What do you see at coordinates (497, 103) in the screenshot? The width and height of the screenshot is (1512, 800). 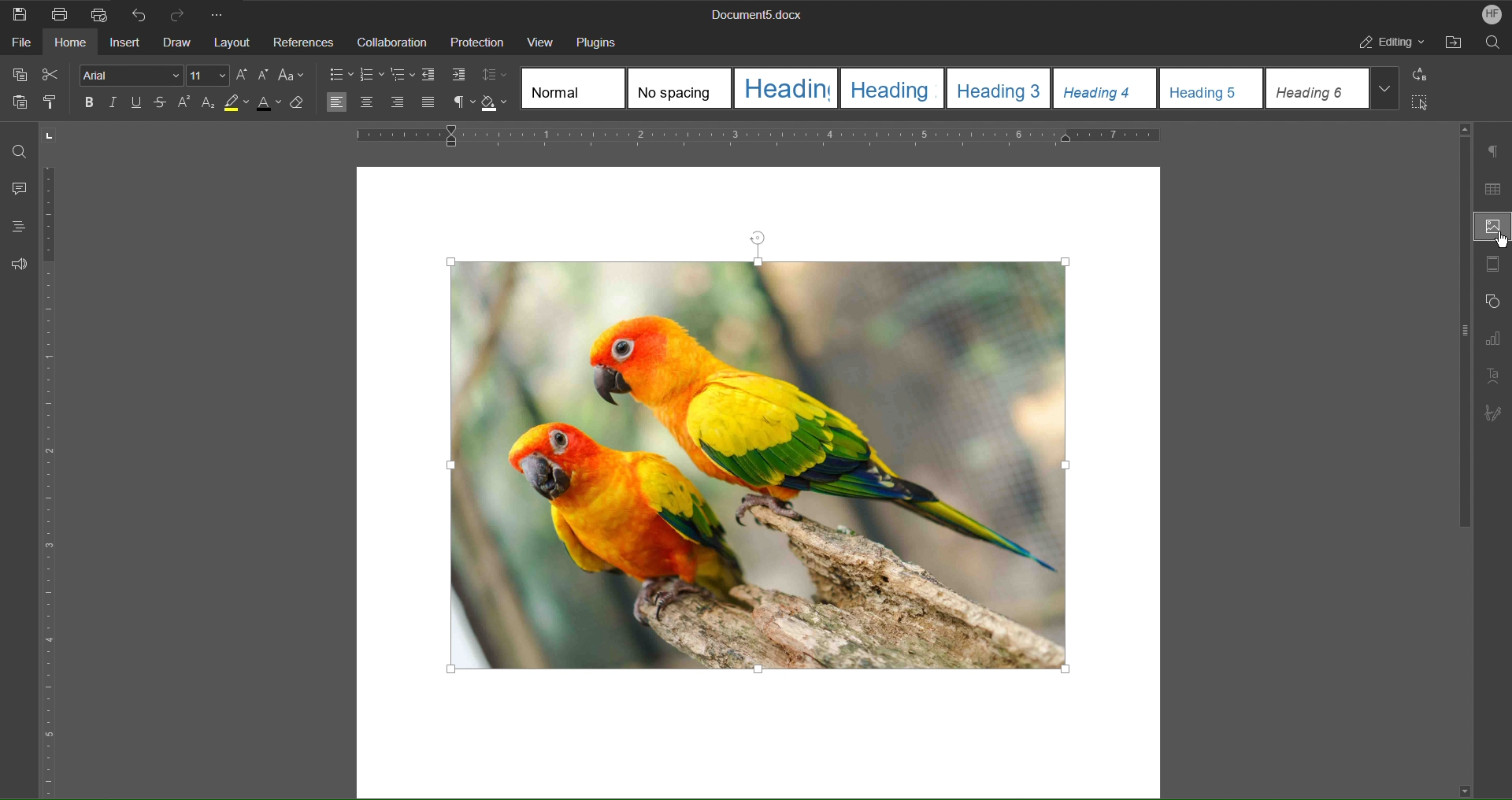 I see `Shadow` at bounding box center [497, 103].